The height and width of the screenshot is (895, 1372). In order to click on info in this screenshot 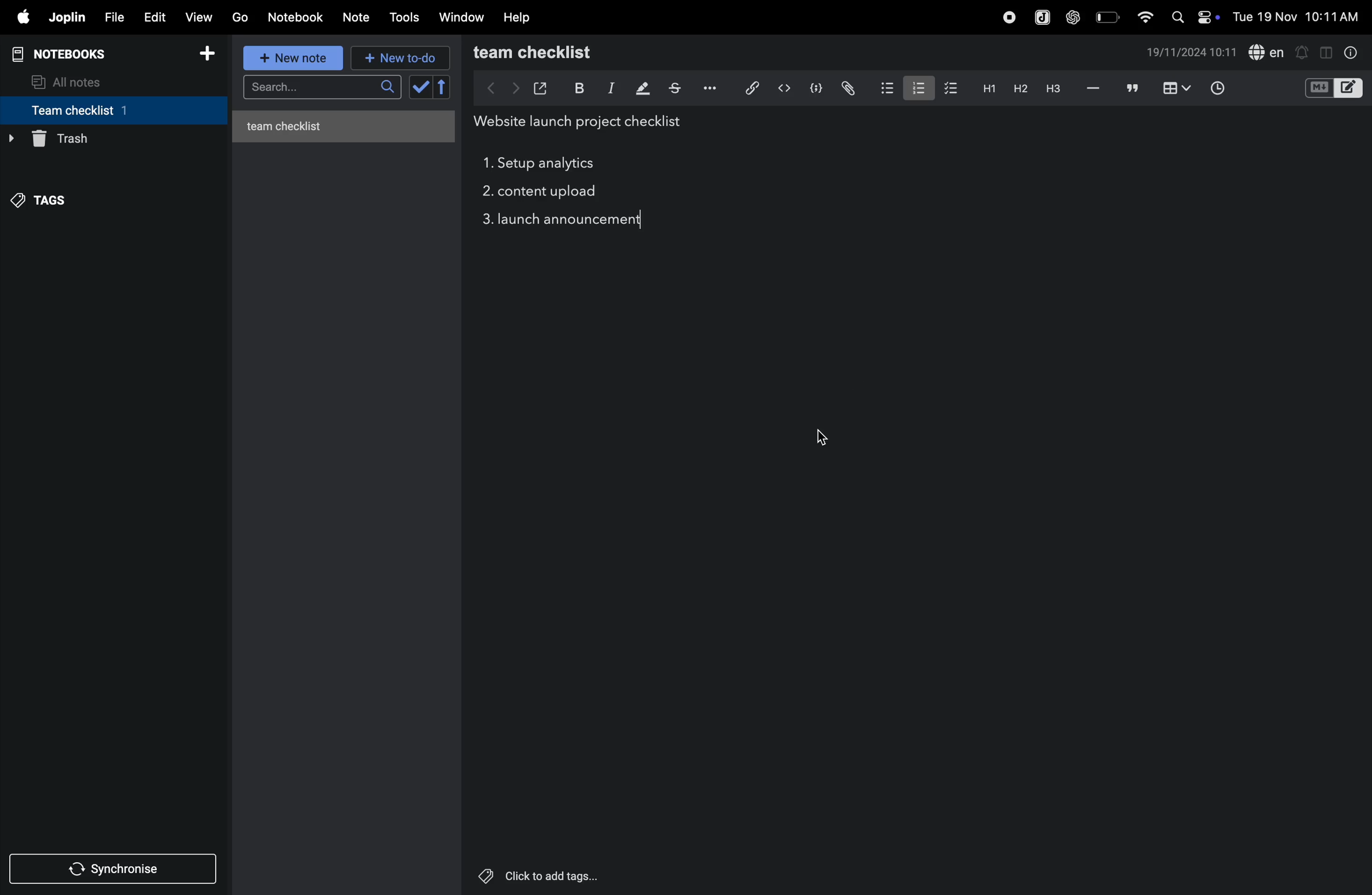, I will do `click(1348, 52)`.